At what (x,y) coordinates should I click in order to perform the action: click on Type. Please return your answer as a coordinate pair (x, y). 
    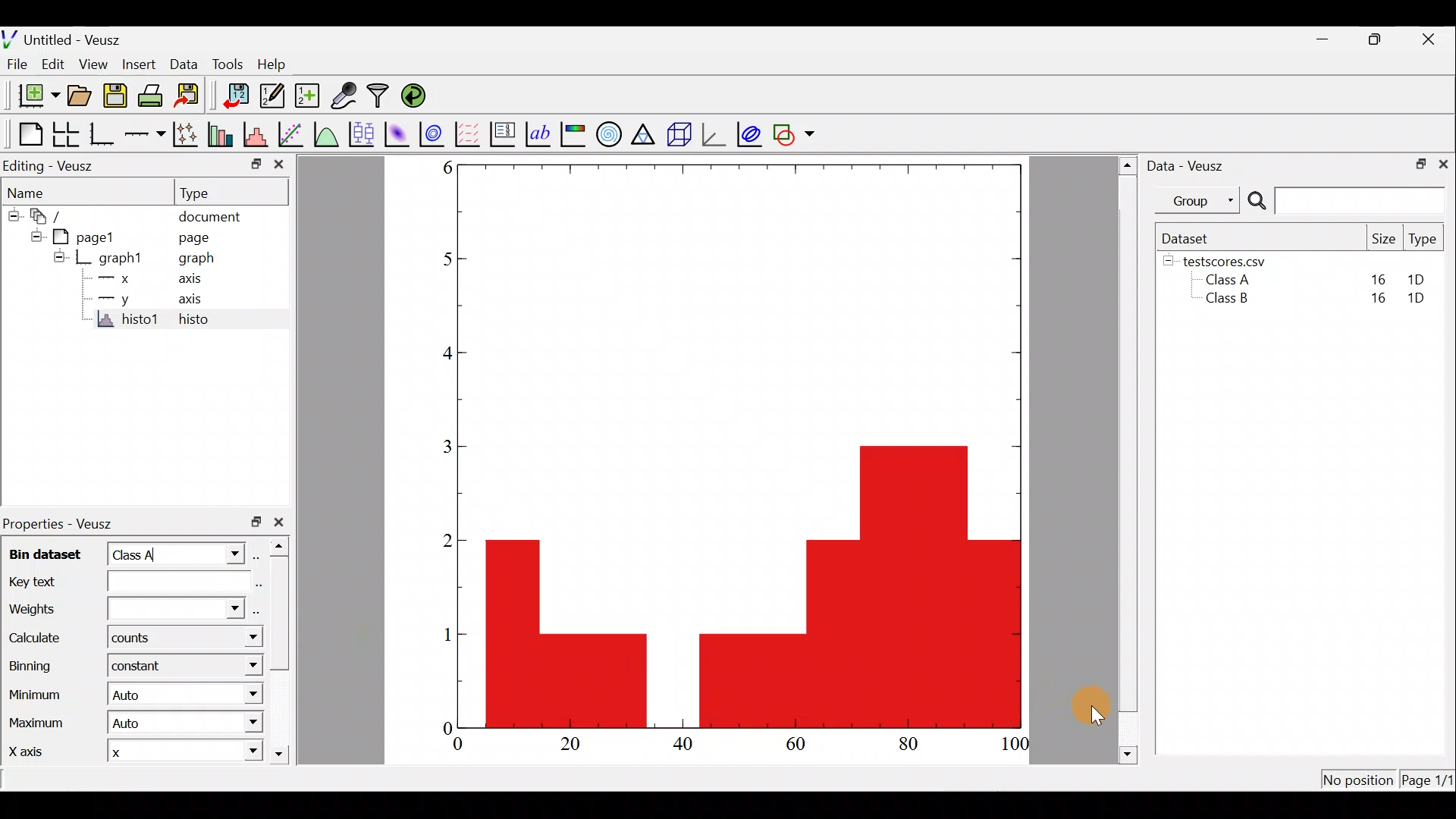
    Looking at the image, I should click on (232, 192).